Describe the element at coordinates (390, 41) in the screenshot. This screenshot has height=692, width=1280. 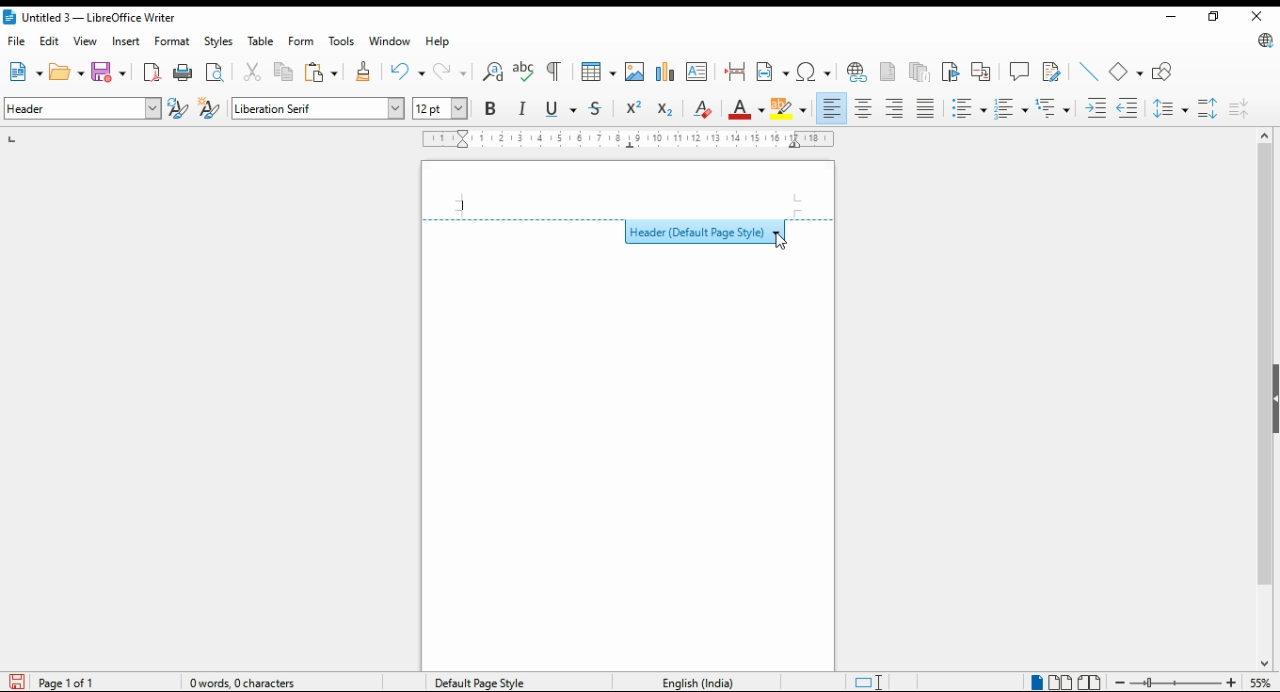
I see `window` at that location.